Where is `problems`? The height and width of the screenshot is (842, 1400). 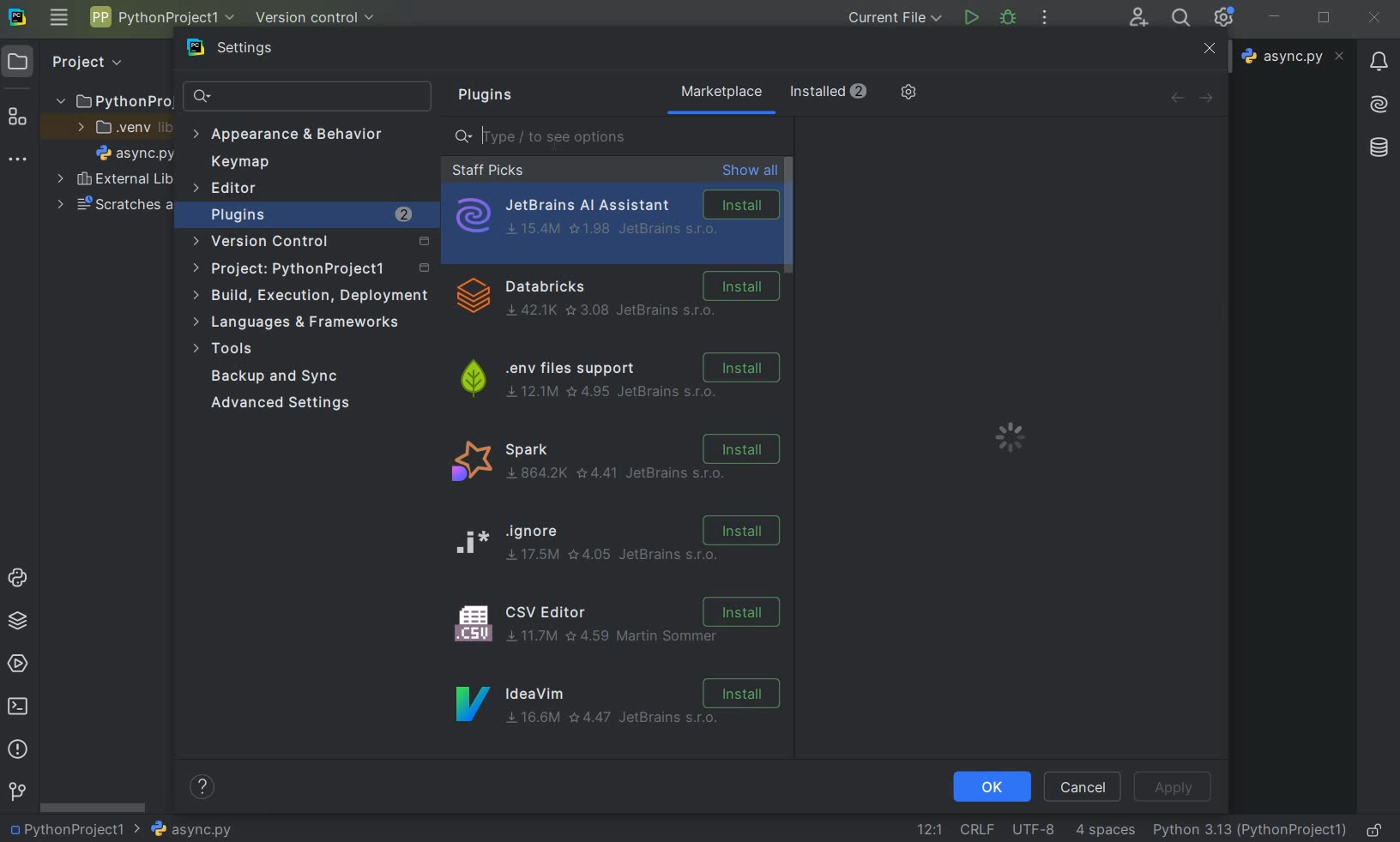 problems is located at coordinates (17, 749).